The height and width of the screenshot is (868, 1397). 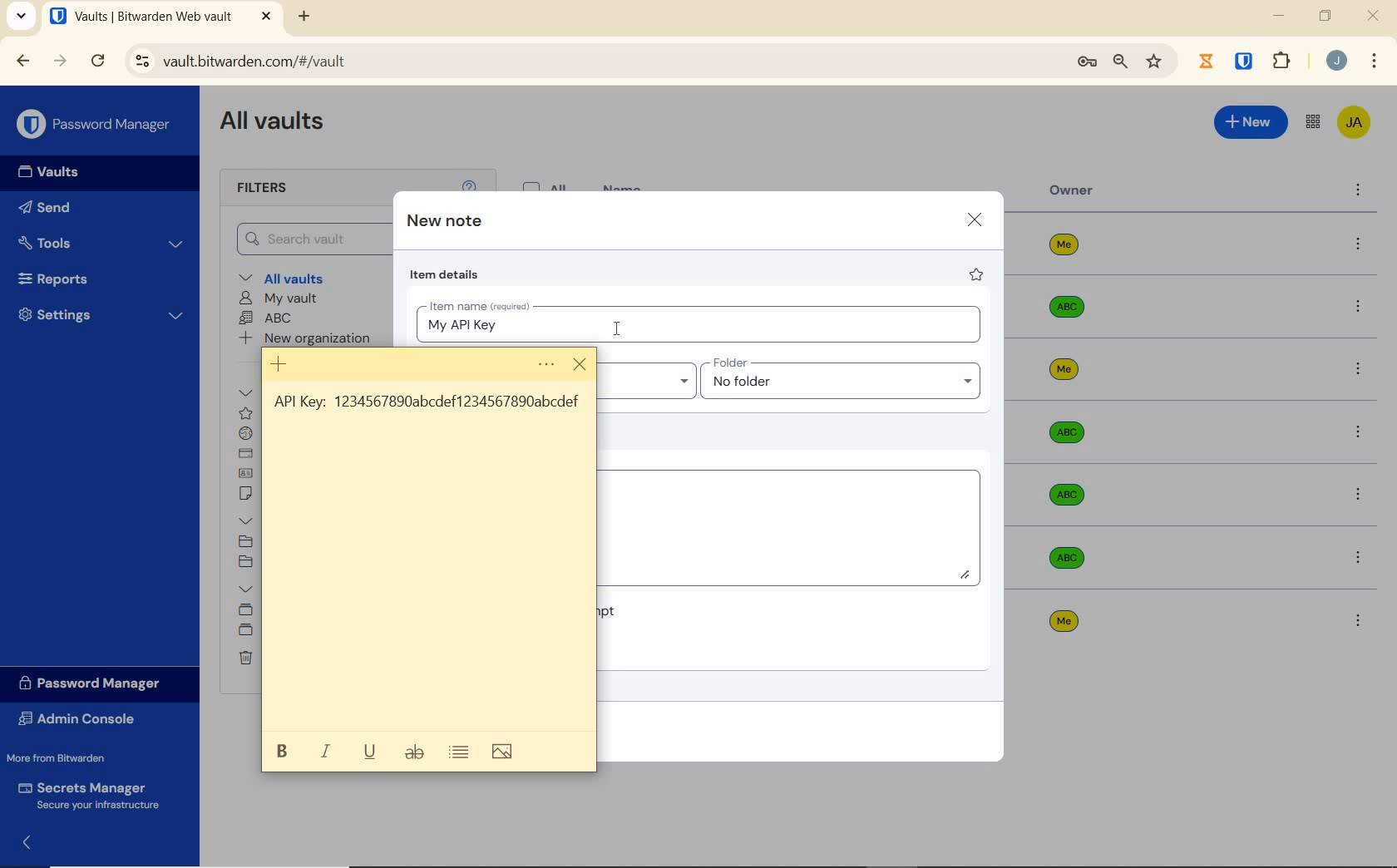 I want to click on Bitwarden Account, so click(x=1353, y=121).